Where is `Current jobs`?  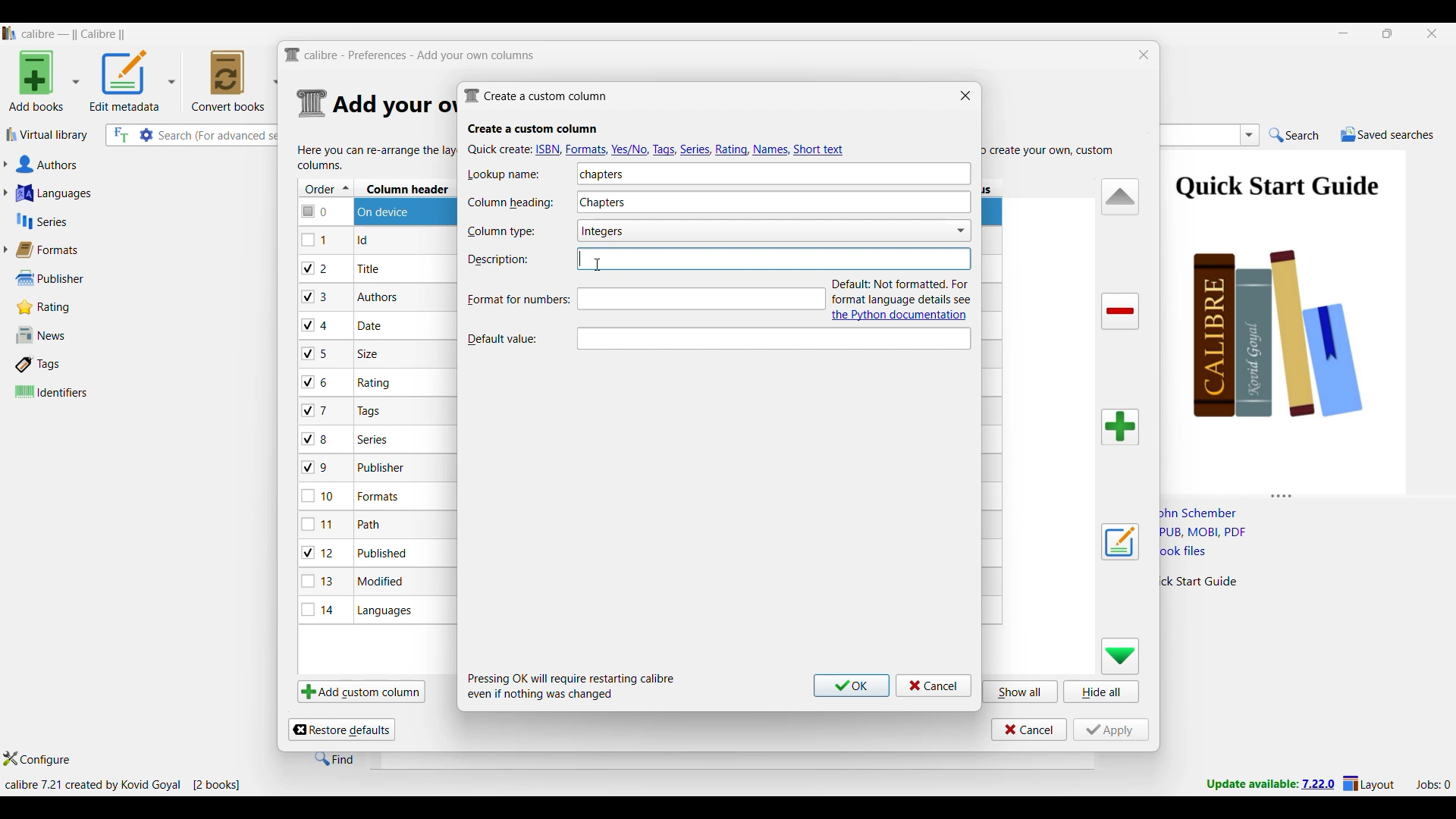 Current jobs is located at coordinates (1432, 785).